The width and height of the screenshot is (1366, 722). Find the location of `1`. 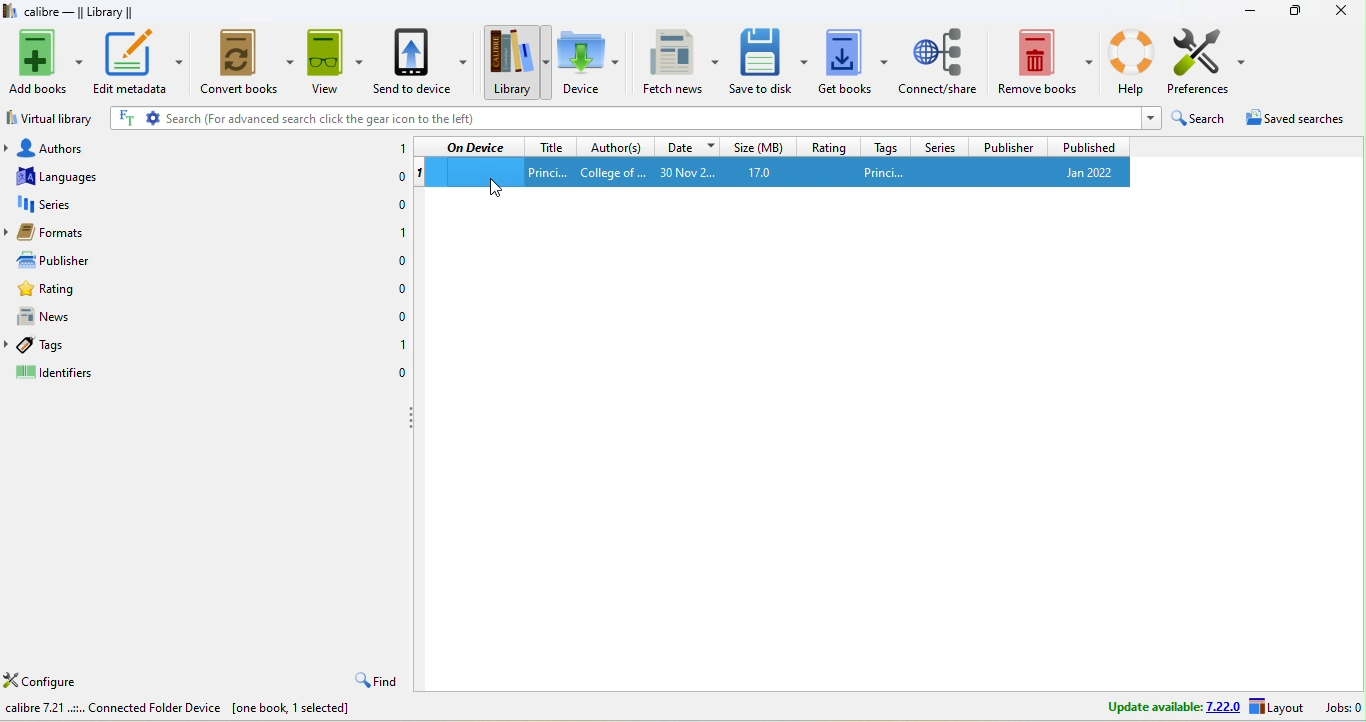

1 is located at coordinates (398, 232).